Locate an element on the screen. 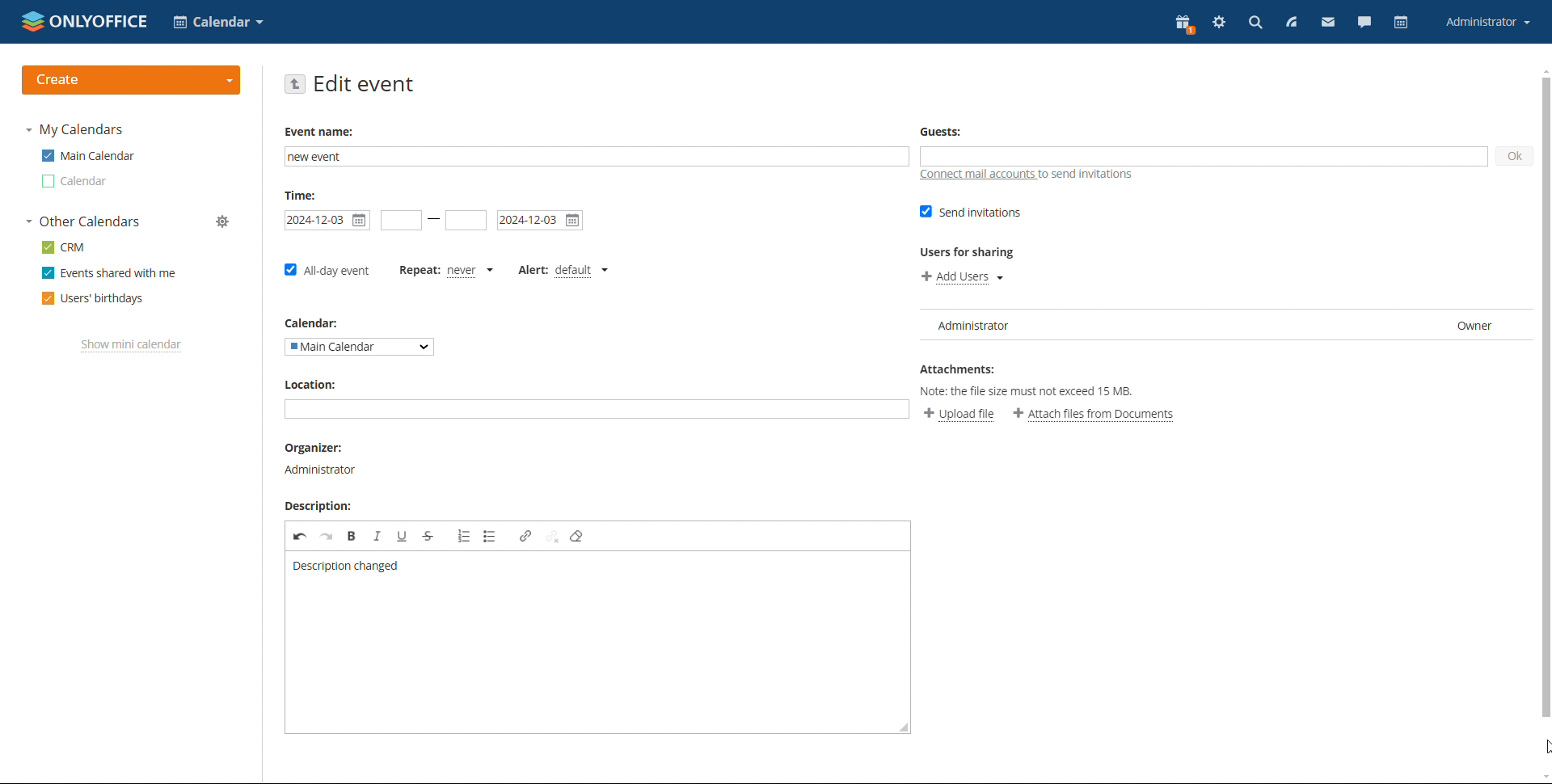 This screenshot has width=1552, height=784. resize is located at coordinates (904, 723).